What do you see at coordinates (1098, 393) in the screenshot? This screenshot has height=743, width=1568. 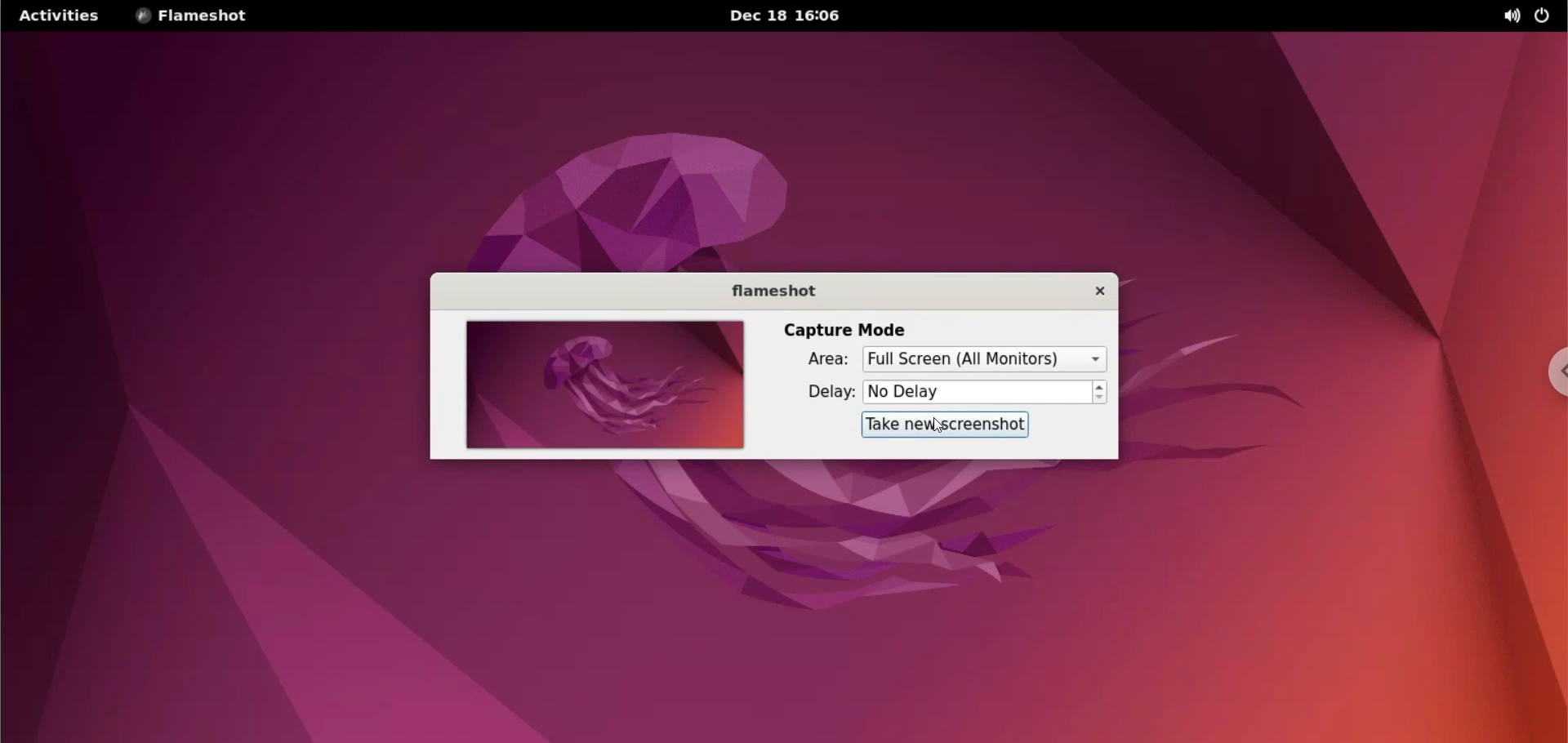 I see `delay increment and decrement` at bounding box center [1098, 393].